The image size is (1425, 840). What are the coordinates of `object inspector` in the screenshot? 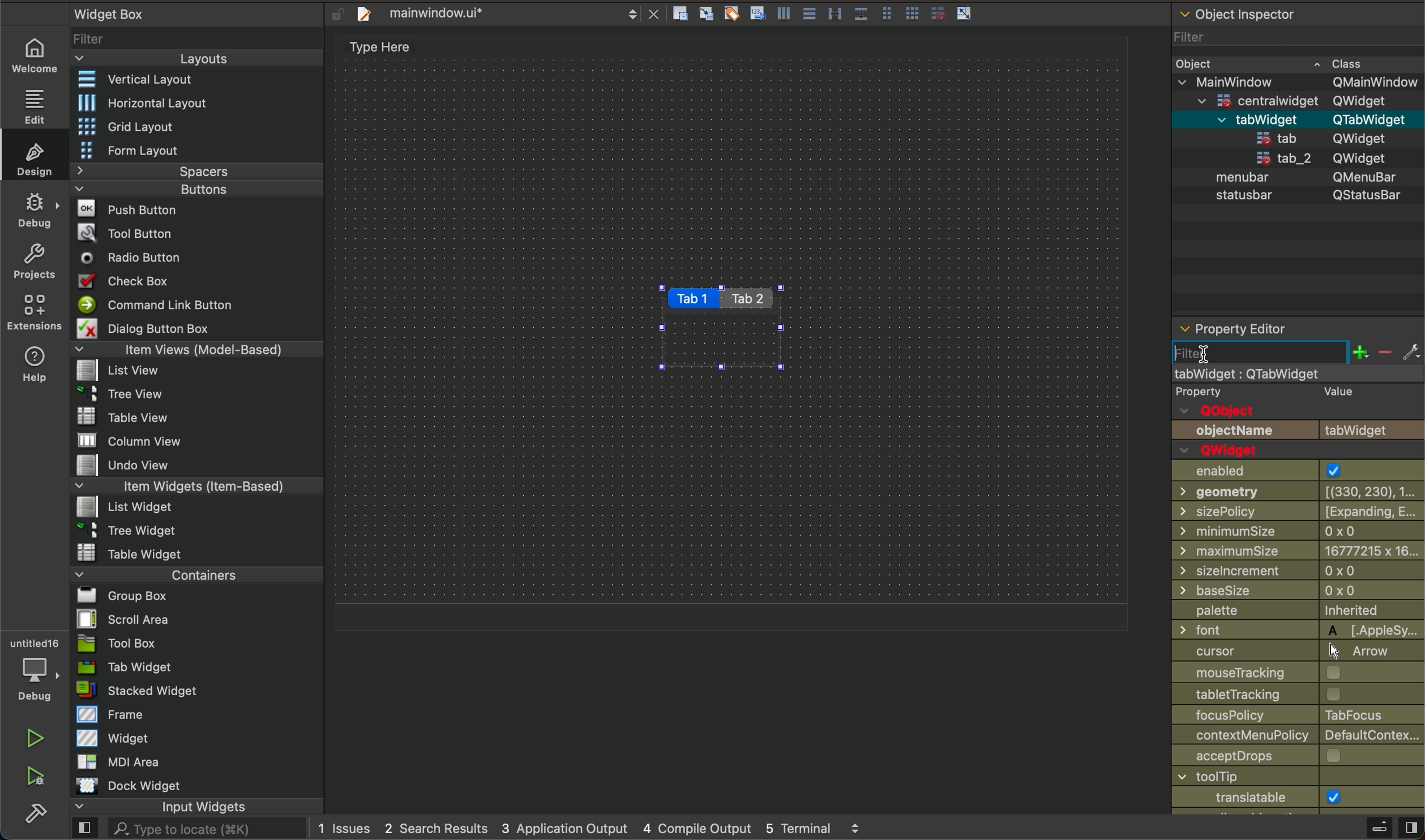 It's located at (1298, 16).